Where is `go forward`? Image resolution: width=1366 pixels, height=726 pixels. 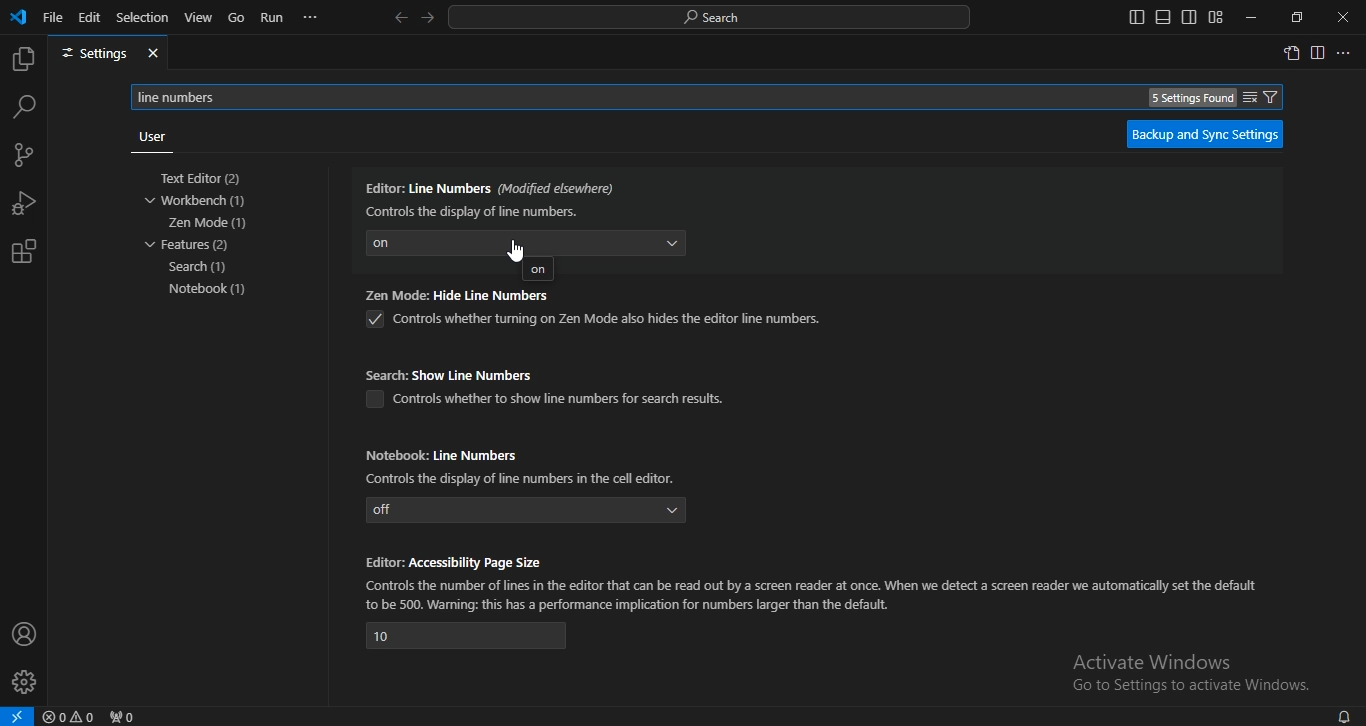
go forward is located at coordinates (429, 16).